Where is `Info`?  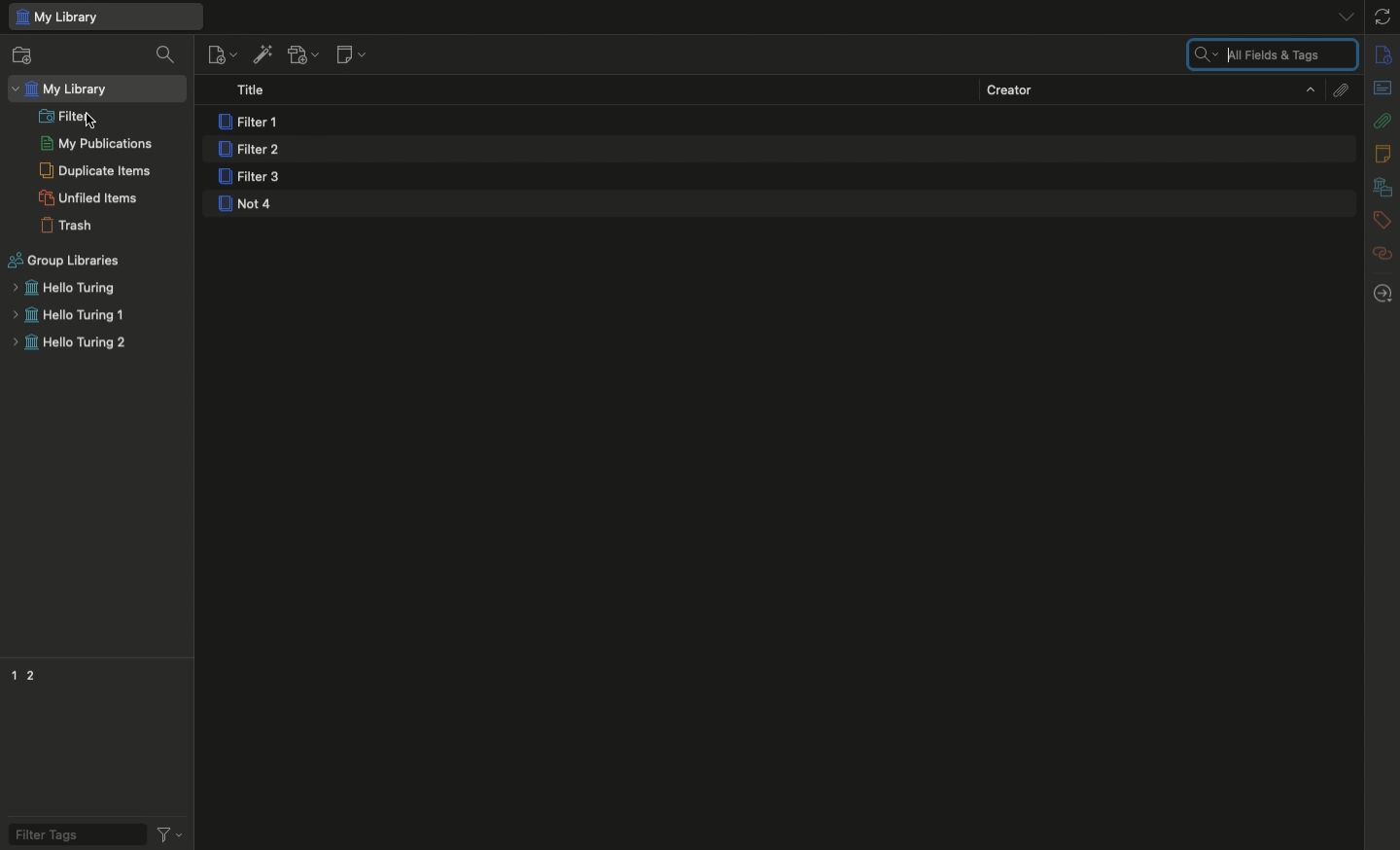 Info is located at coordinates (1384, 55).